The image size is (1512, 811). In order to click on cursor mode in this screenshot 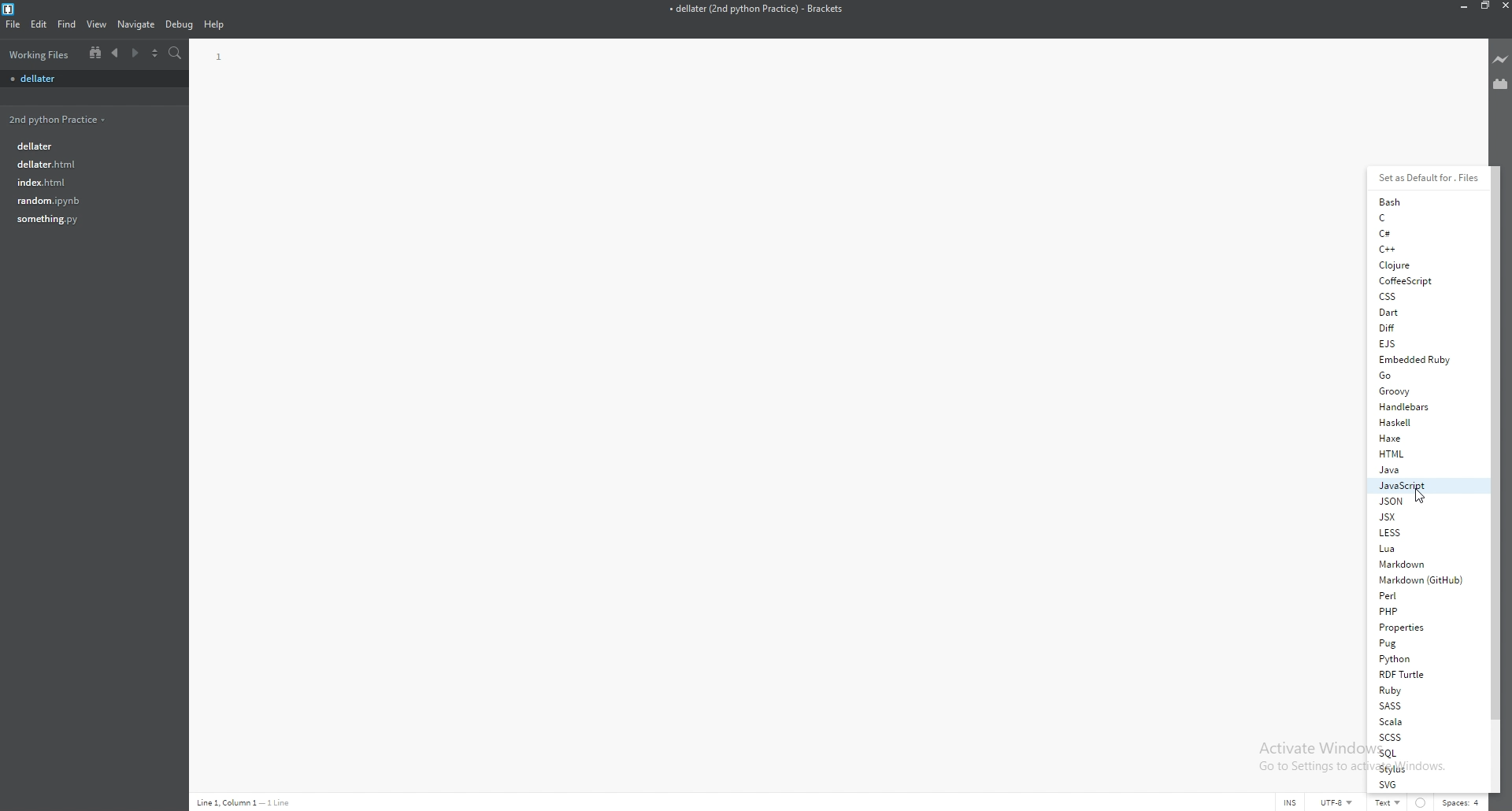, I will do `click(1291, 802)`.